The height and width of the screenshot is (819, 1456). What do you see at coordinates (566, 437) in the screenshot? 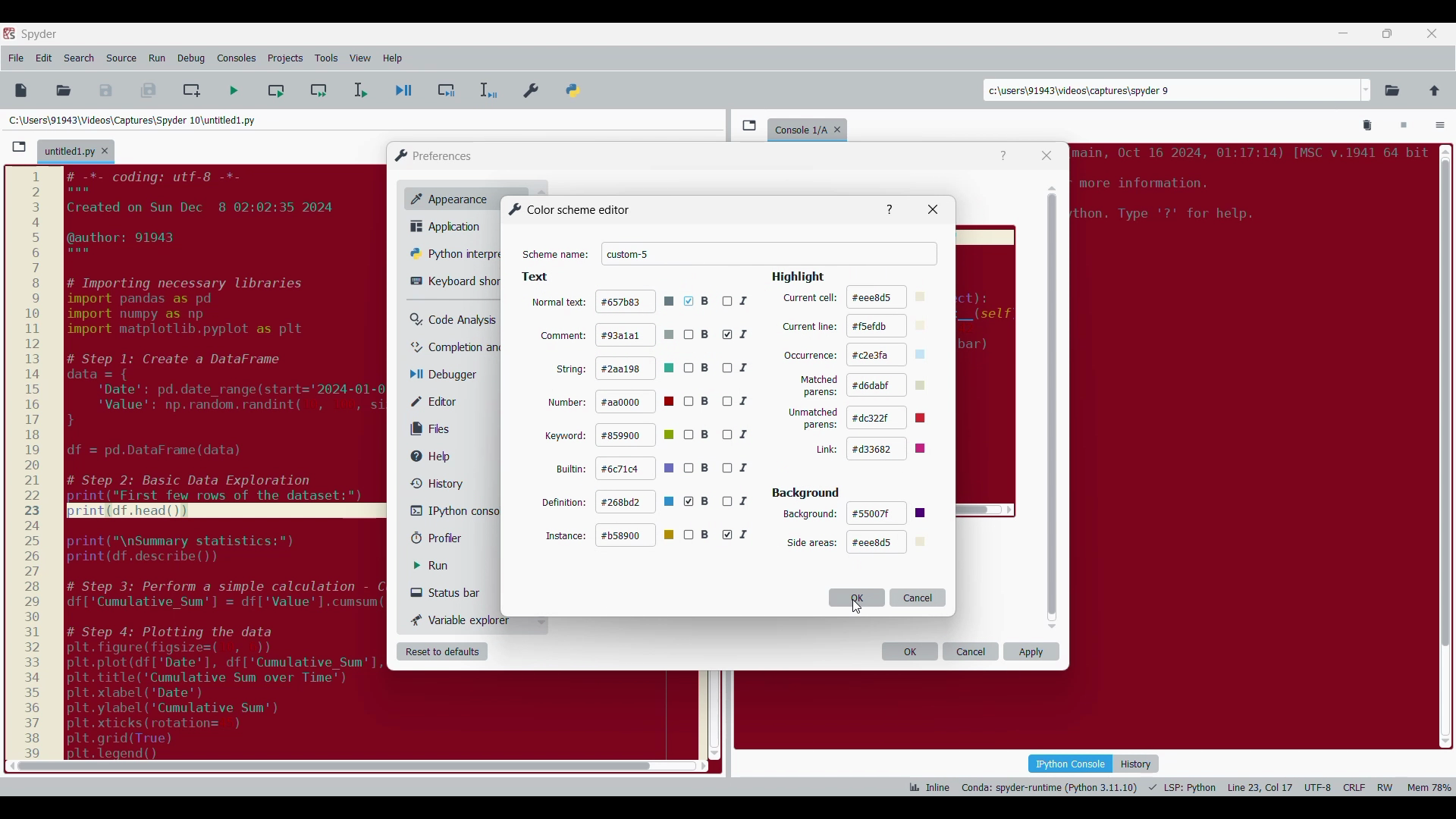
I see `keyword` at bounding box center [566, 437].